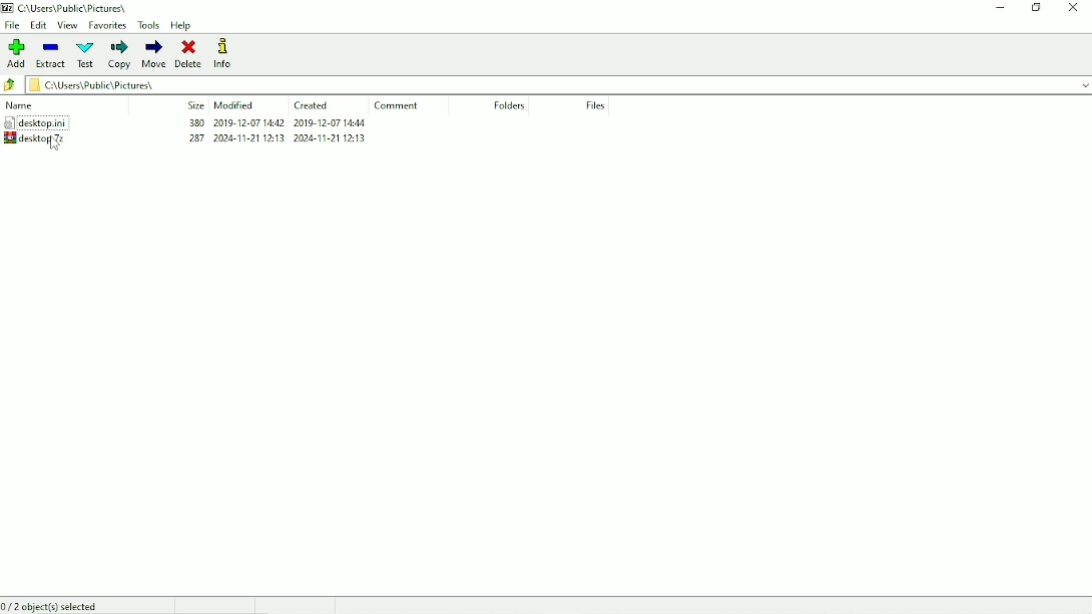 The height and width of the screenshot is (614, 1092). I want to click on 0/2 object(s) selected, so click(53, 605).